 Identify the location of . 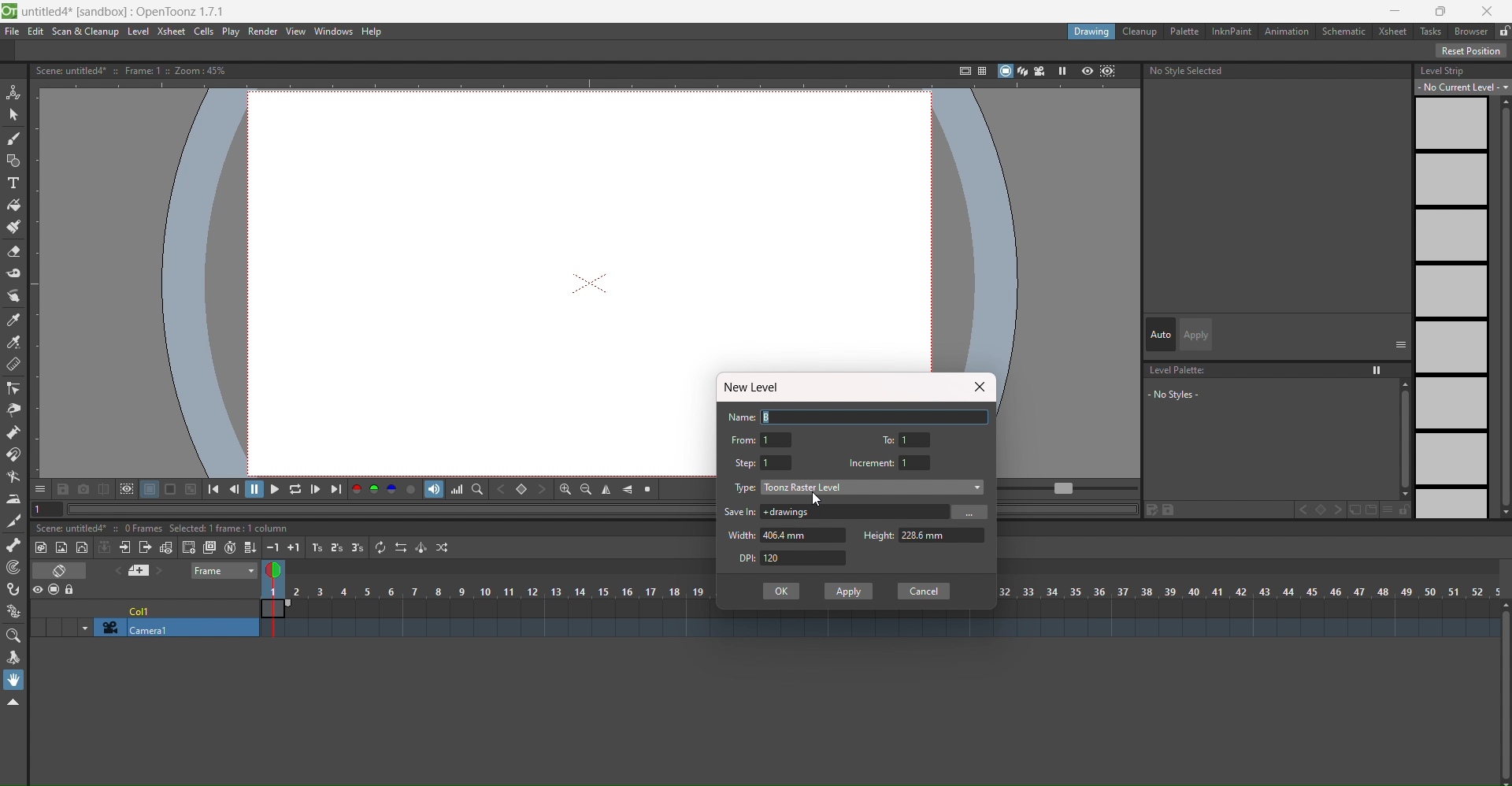
(627, 489).